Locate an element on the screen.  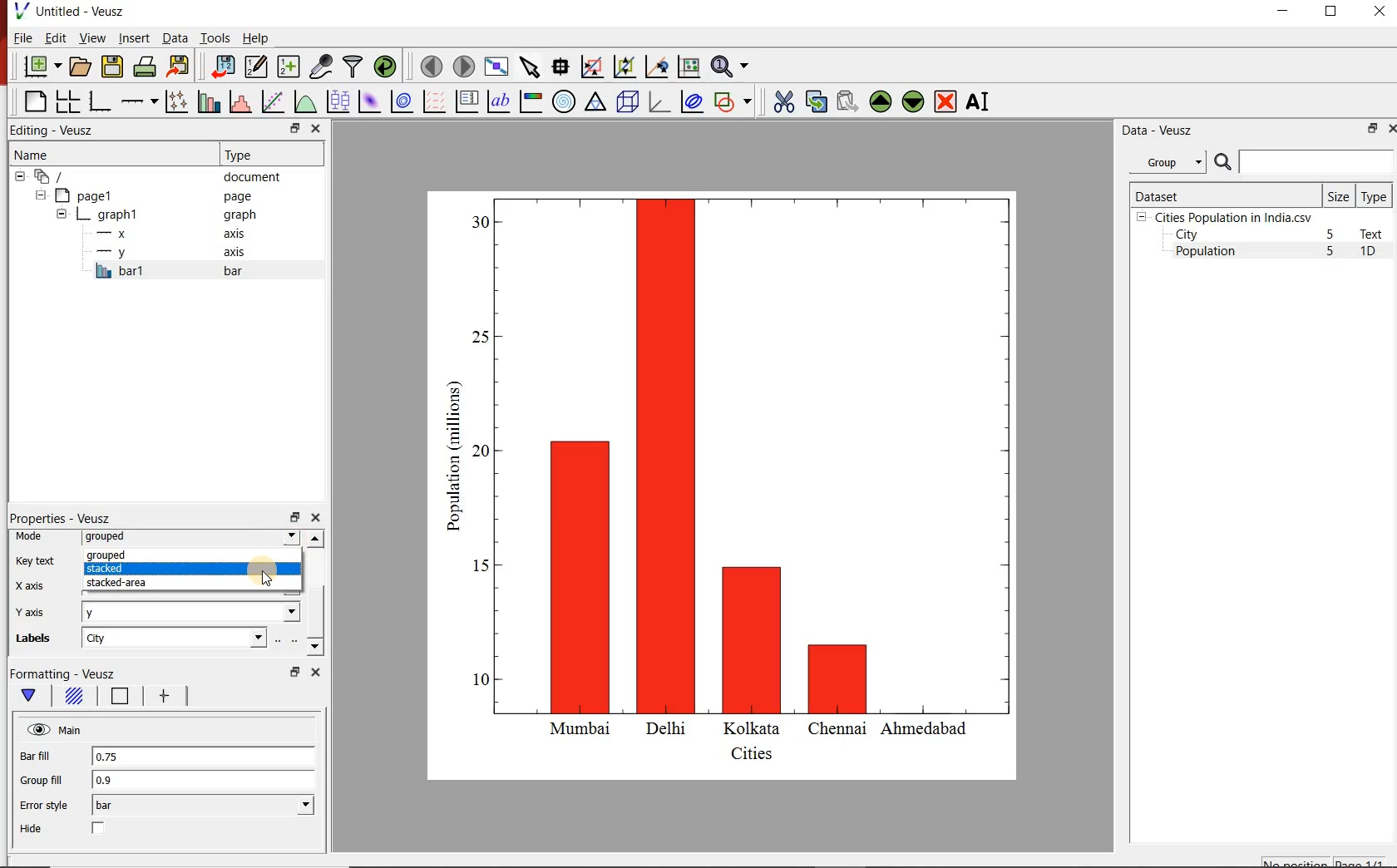
scrollbar is located at coordinates (315, 594).